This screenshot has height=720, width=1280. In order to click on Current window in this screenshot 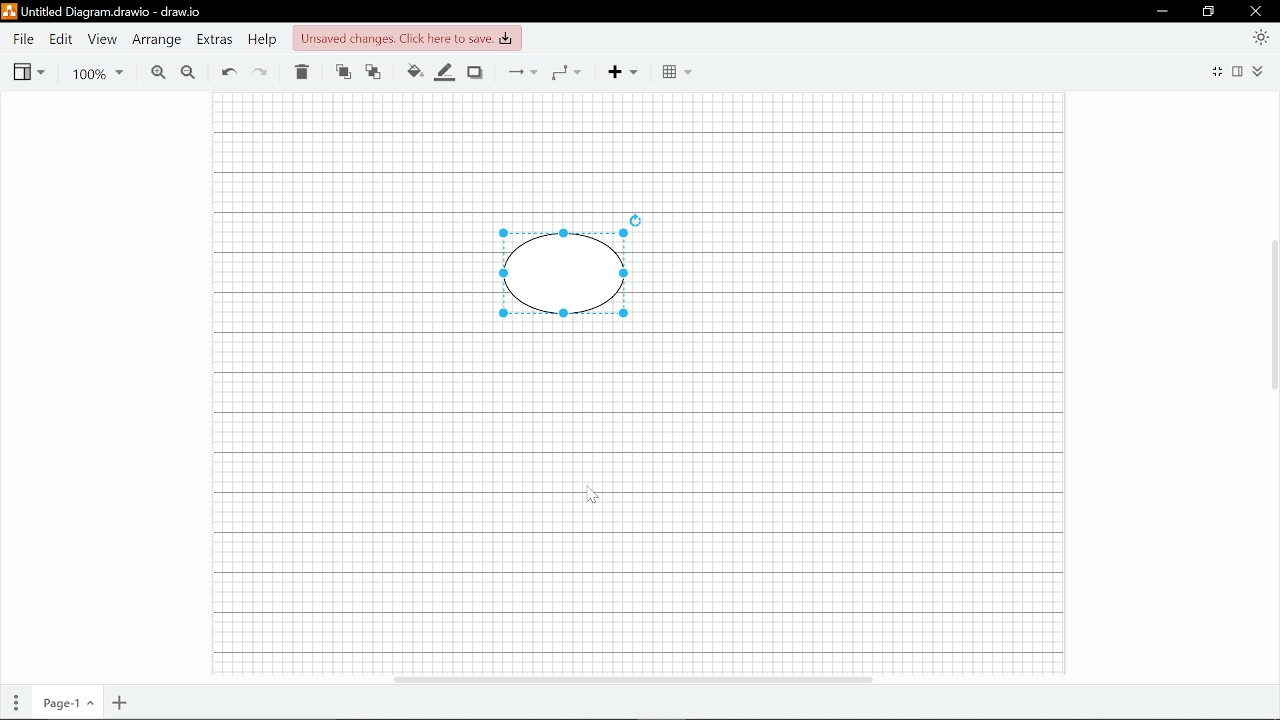, I will do `click(102, 12)`.